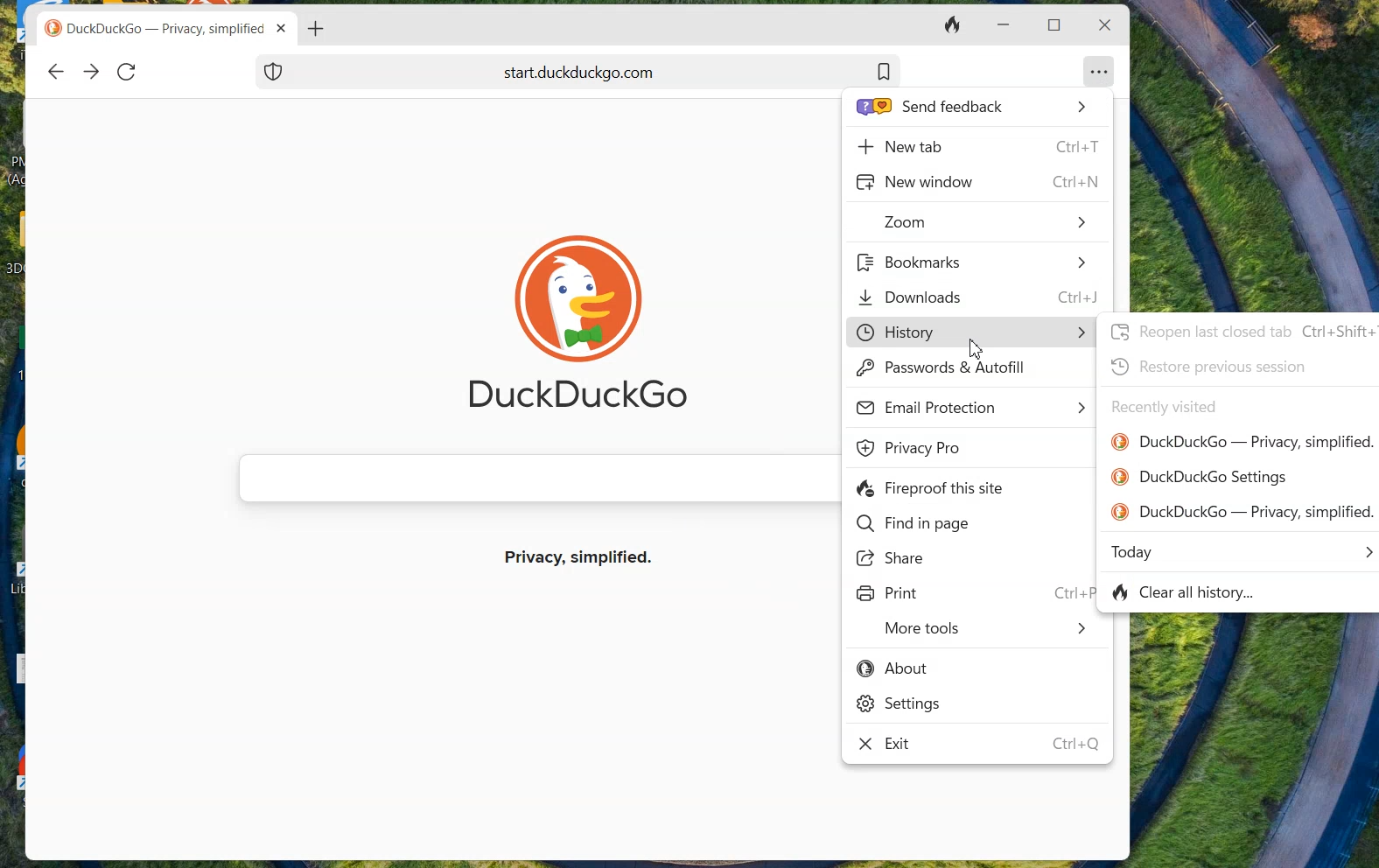 The width and height of the screenshot is (1379, 868). I want to click on Close Tabs and clear data, so click(955, 25).